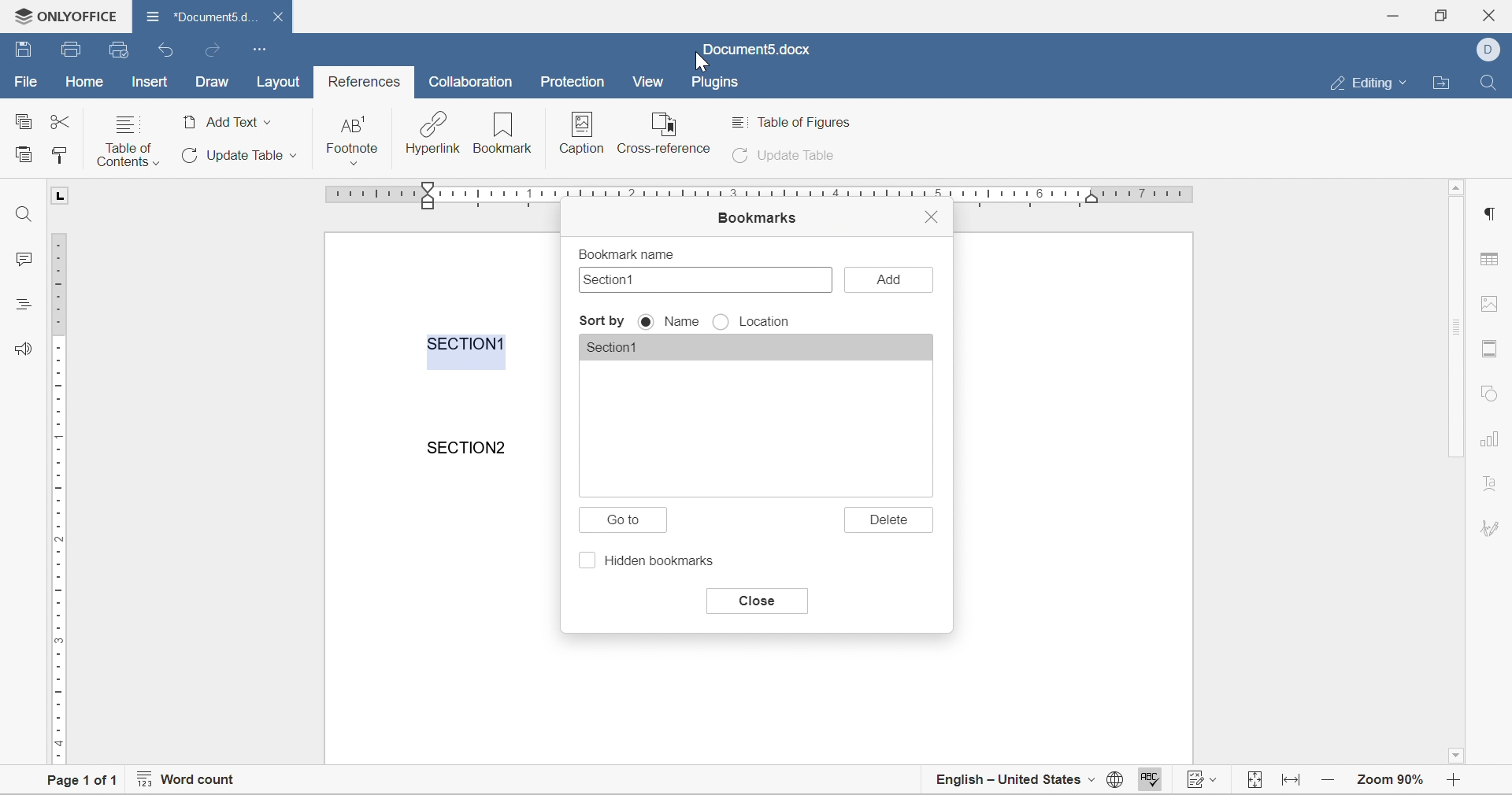 This screenshot has width=1512, height=795. Describe the element at coordinates (1487, 303) in the screenshot. I see `image settings` at that location.